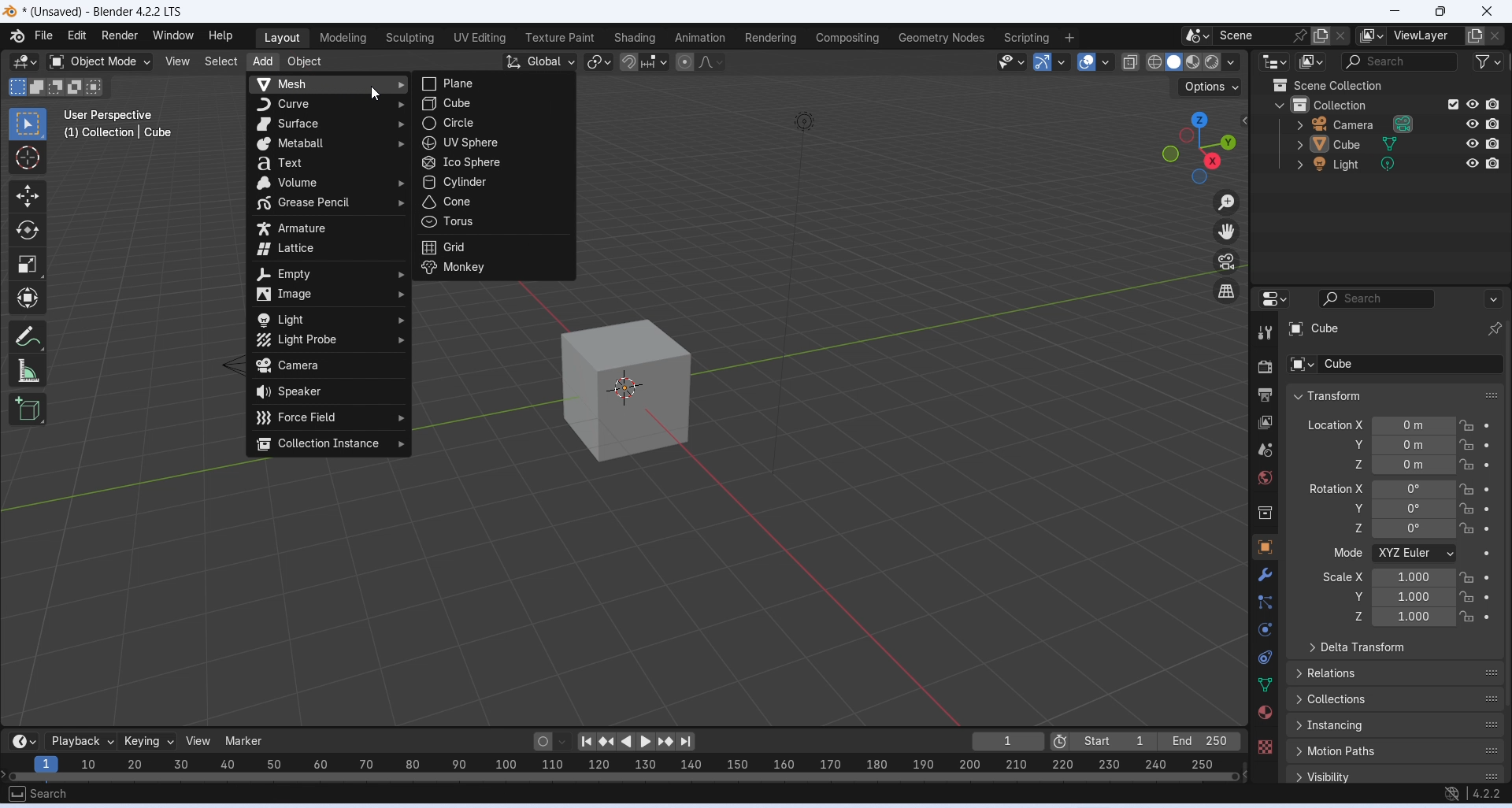  I want to click on filter, so click(1488, 61).